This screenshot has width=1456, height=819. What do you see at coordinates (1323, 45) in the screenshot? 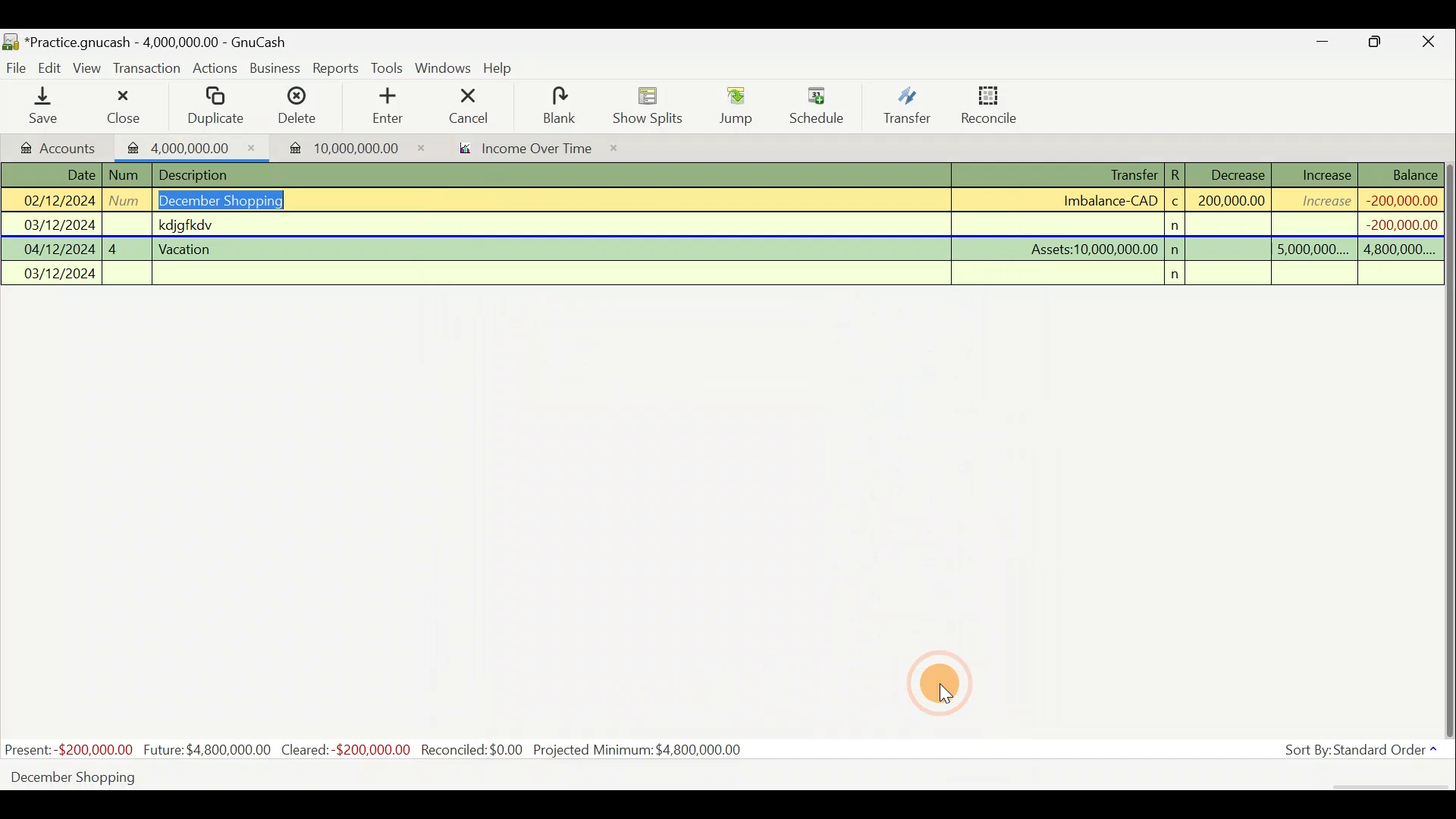
I see `Minimise` at bounding box center [1323, 45].